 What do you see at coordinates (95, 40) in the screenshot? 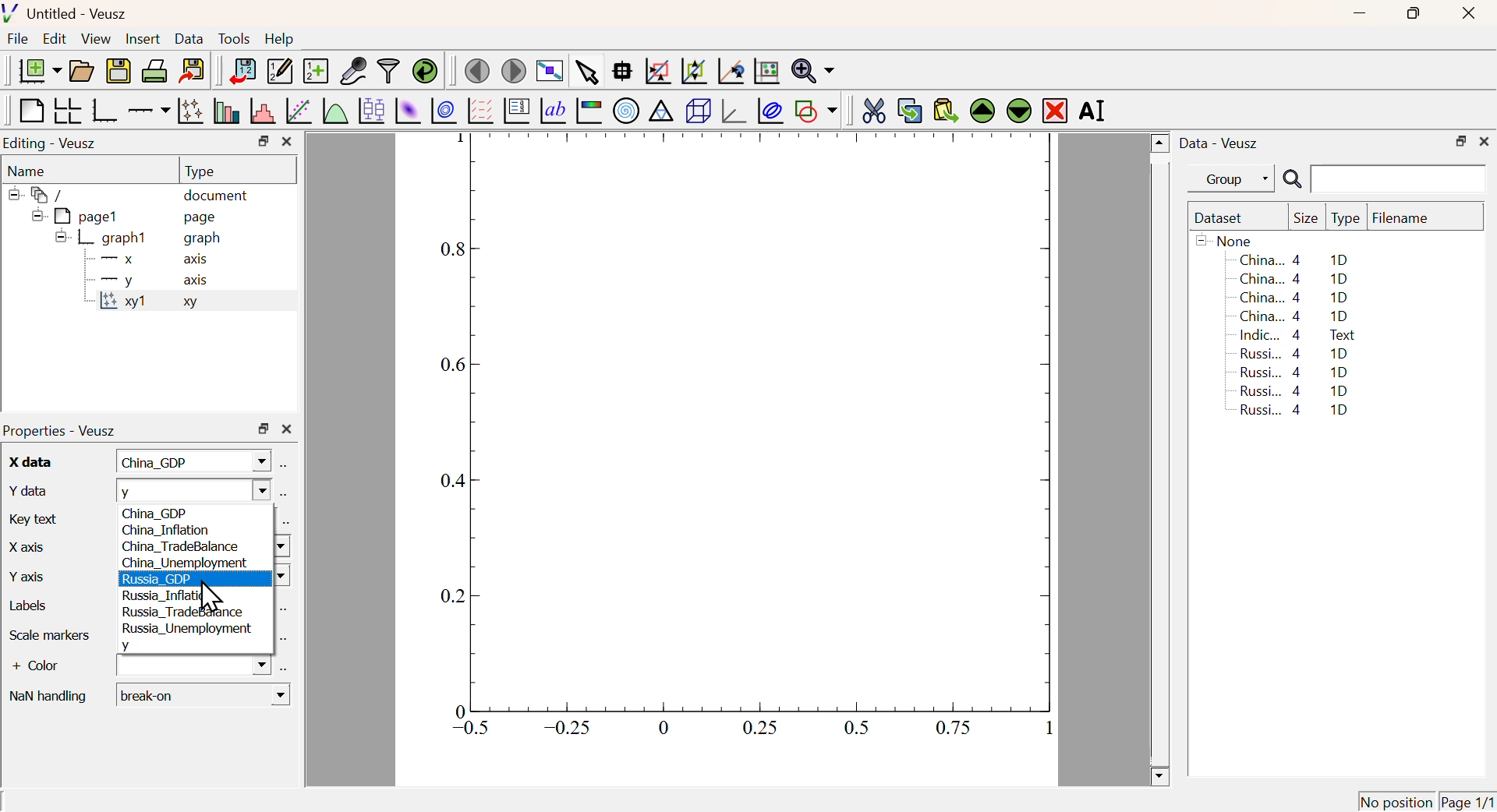
I see `View` at bounding box center [95, 40].